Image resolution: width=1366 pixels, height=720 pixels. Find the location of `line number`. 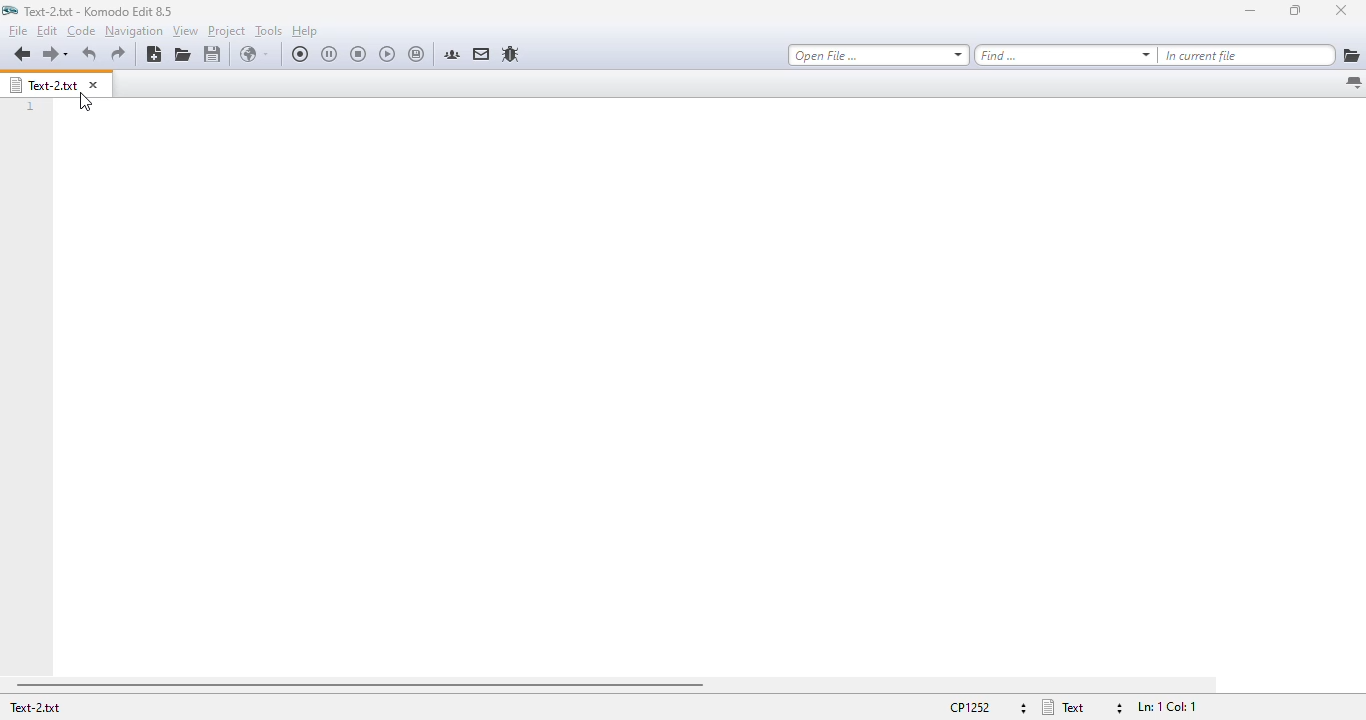

line number is located at coordinates (31, 108).